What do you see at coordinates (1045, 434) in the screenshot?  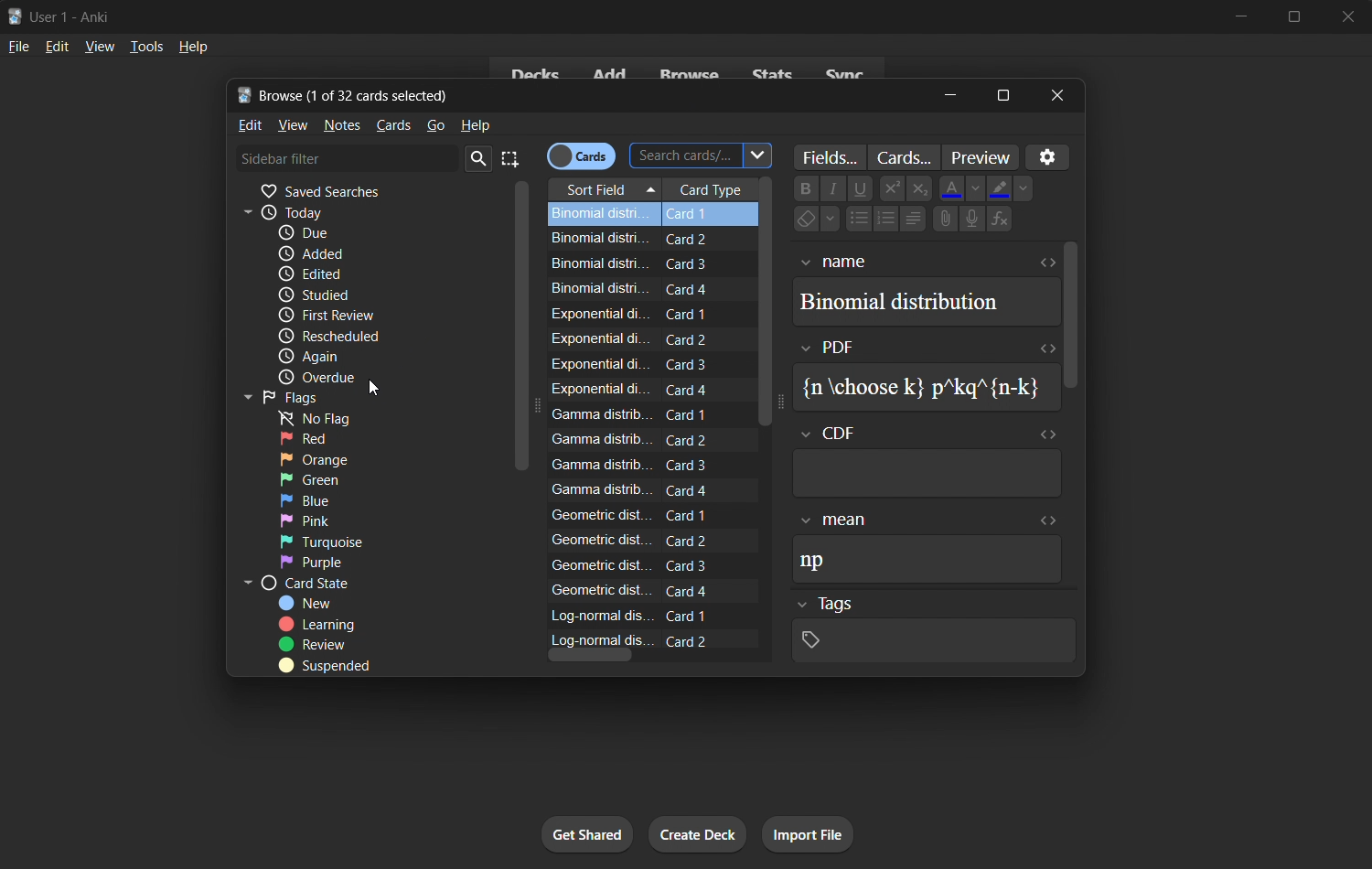 I see `expand` at bounding box center [1045, 434].